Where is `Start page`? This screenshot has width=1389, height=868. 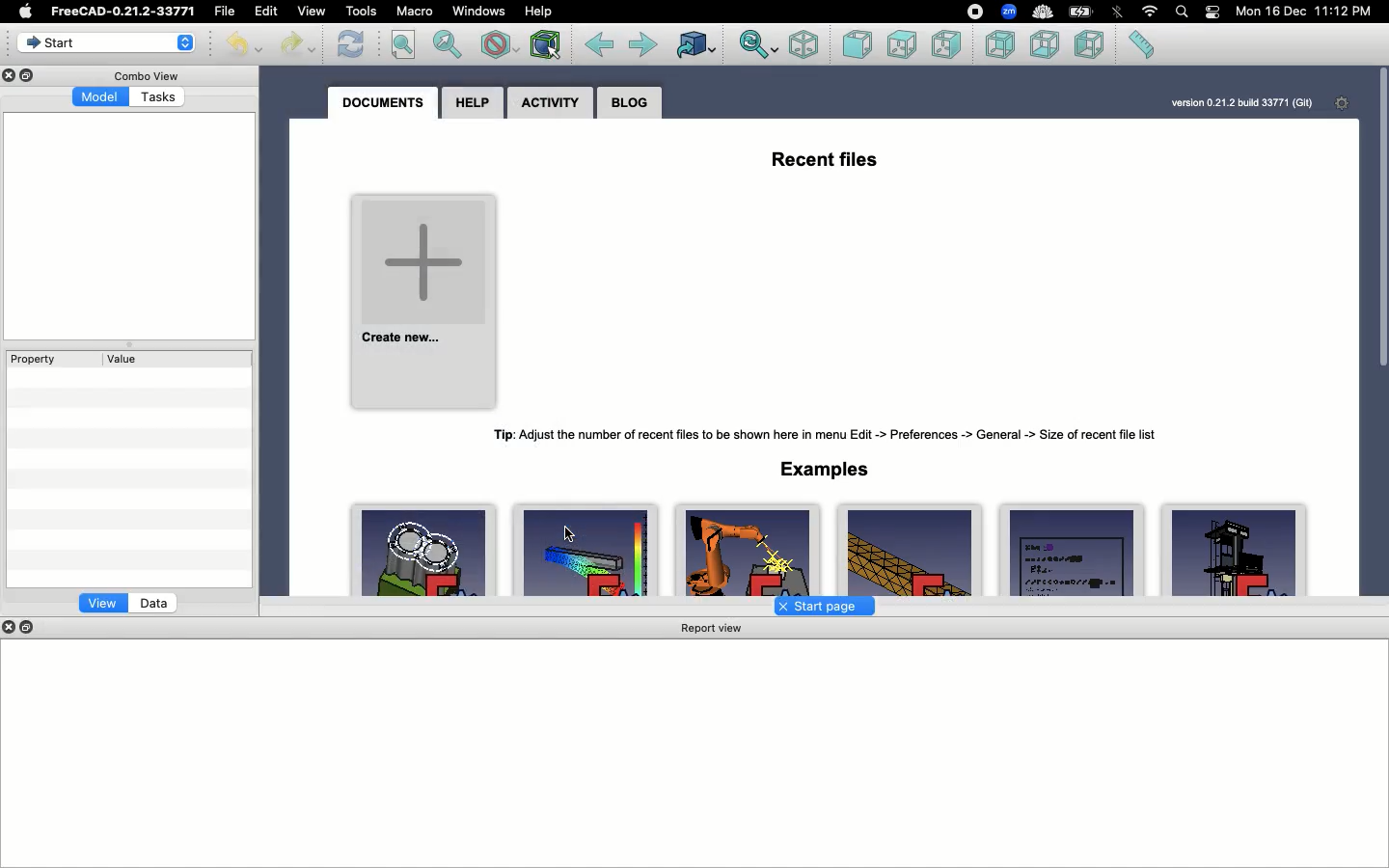
Start page is located at coordinates (827, 607).